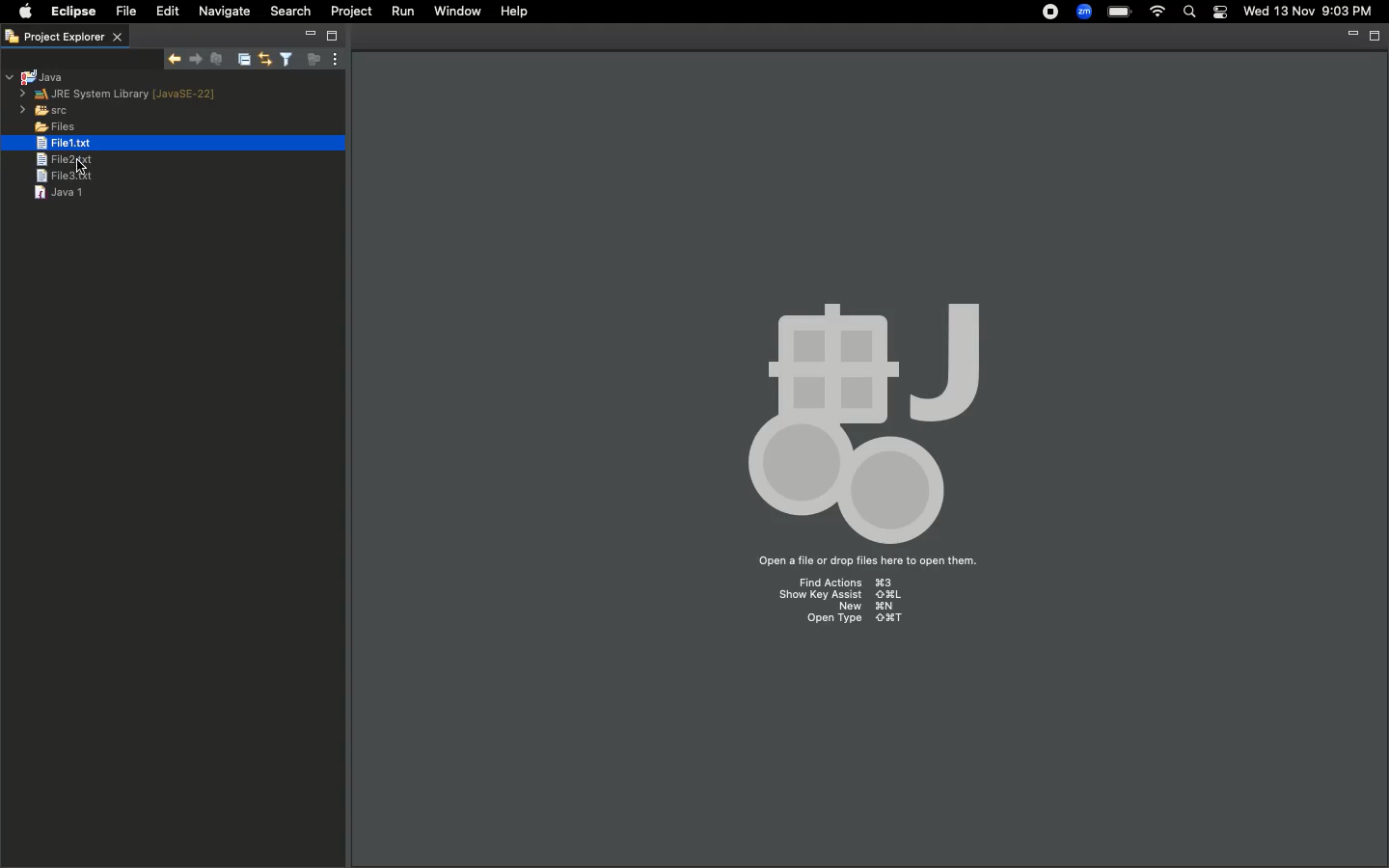 This screenshot has width=1389, height=868. I want to click on Maximize, so click(331, 36).